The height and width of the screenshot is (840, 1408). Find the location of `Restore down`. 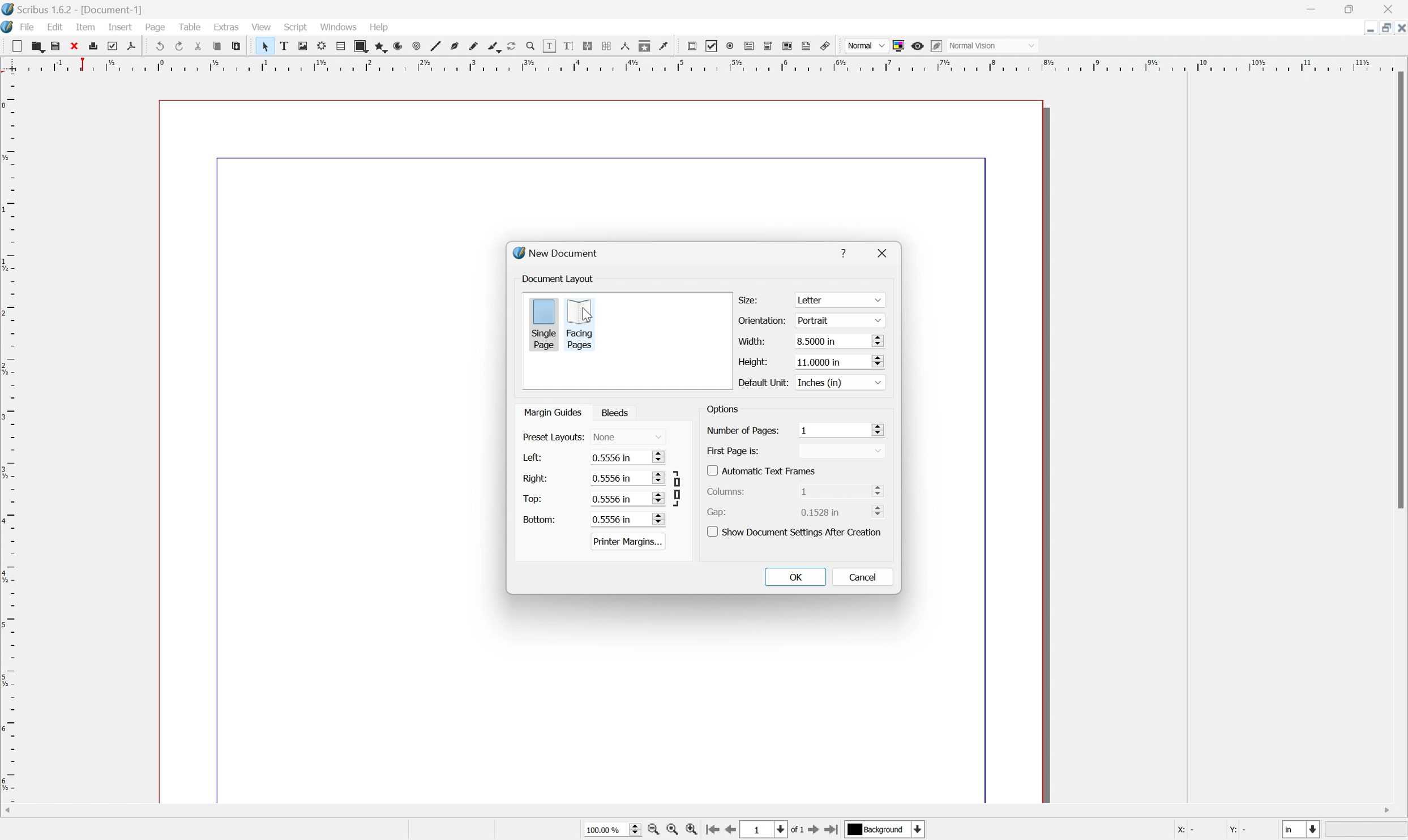

Restore down is located at coordinates (1380, 27).